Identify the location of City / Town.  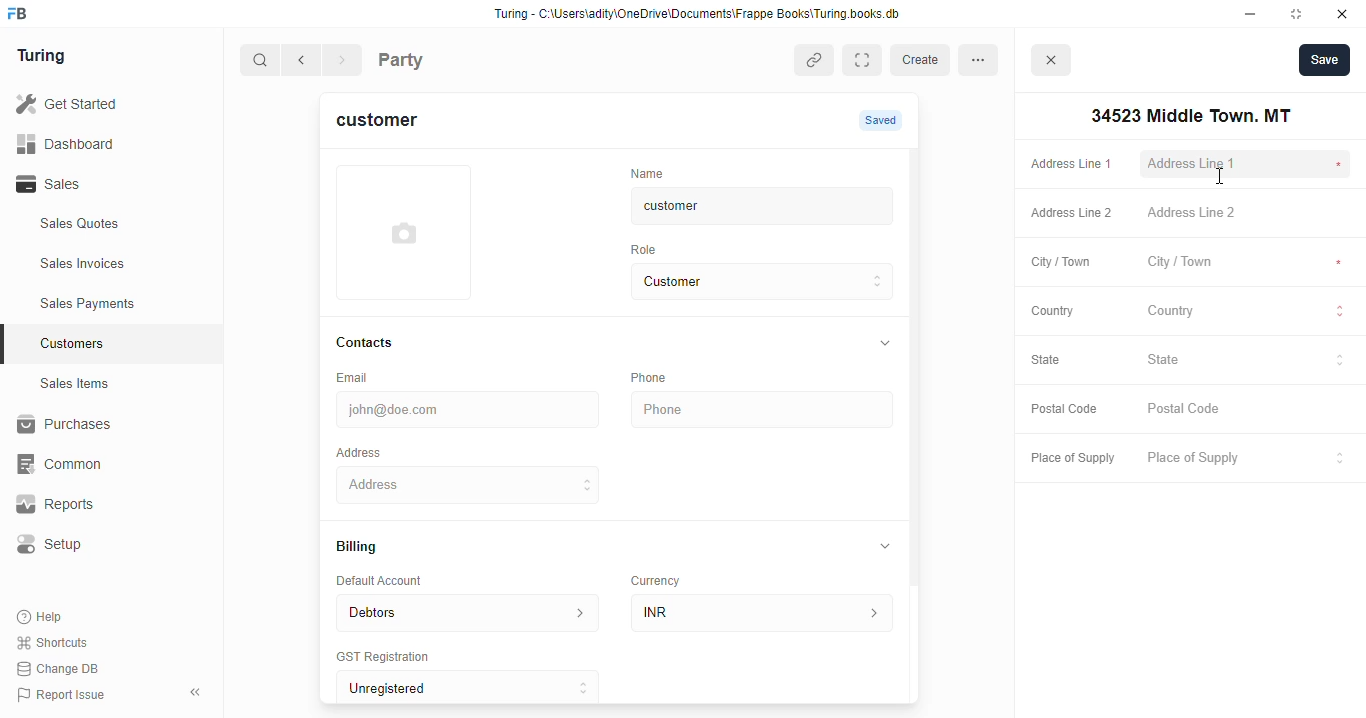
(1061, 264).